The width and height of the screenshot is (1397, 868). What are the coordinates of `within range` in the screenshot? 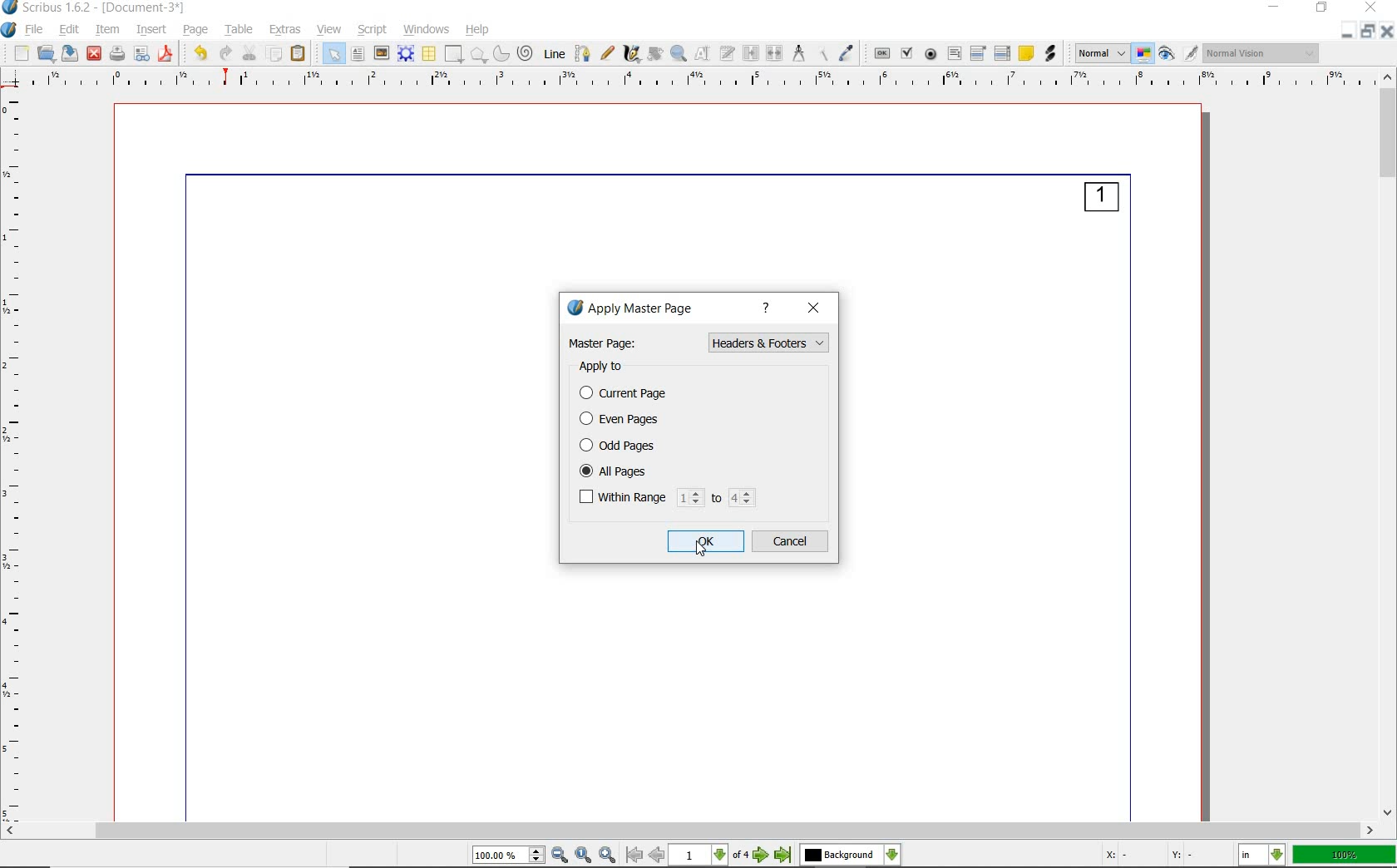 It's located at (668, 498).